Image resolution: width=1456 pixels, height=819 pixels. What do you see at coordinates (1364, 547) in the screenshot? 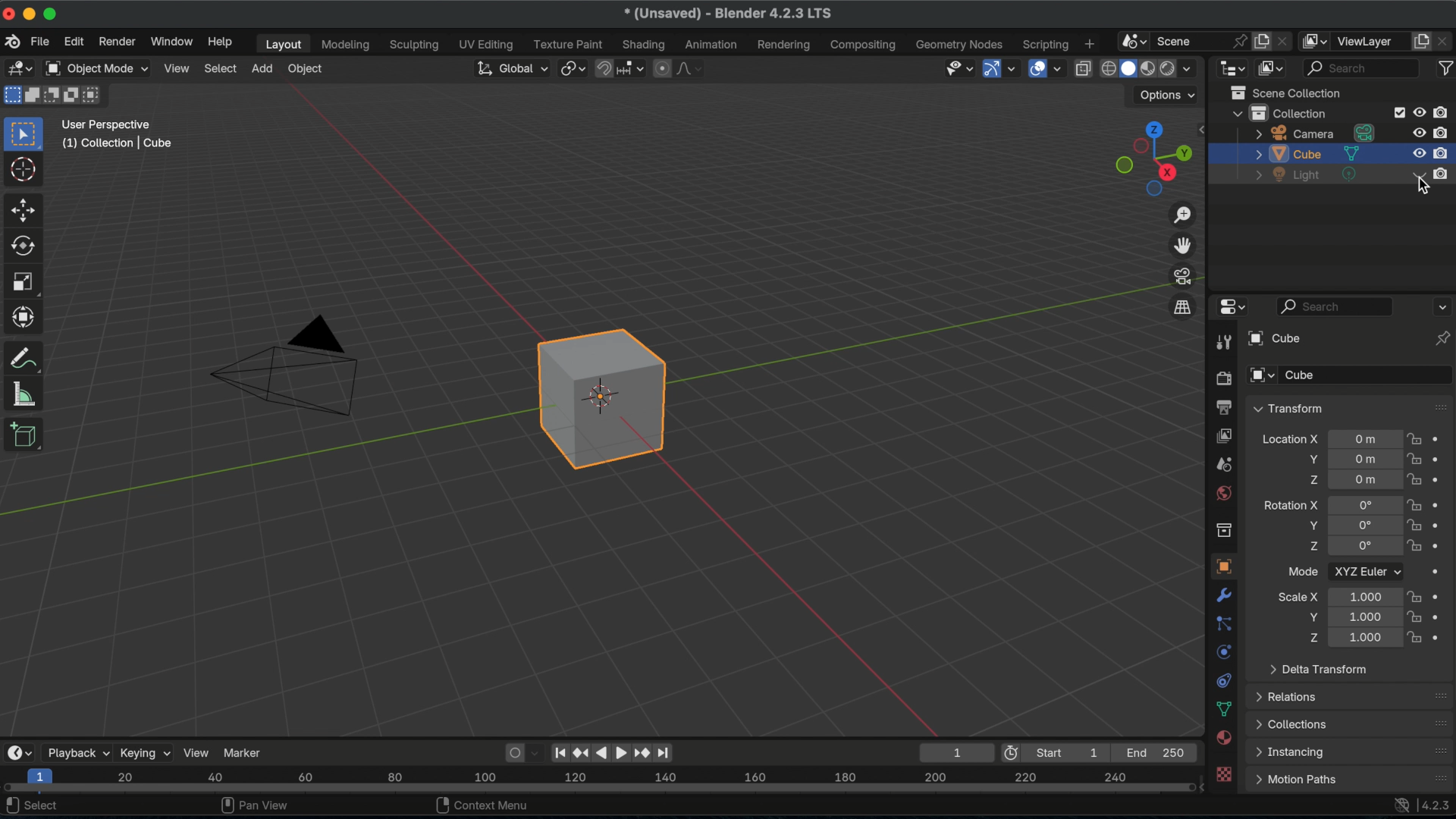
I see `euler rotation` at bounding box center [1364, 547].